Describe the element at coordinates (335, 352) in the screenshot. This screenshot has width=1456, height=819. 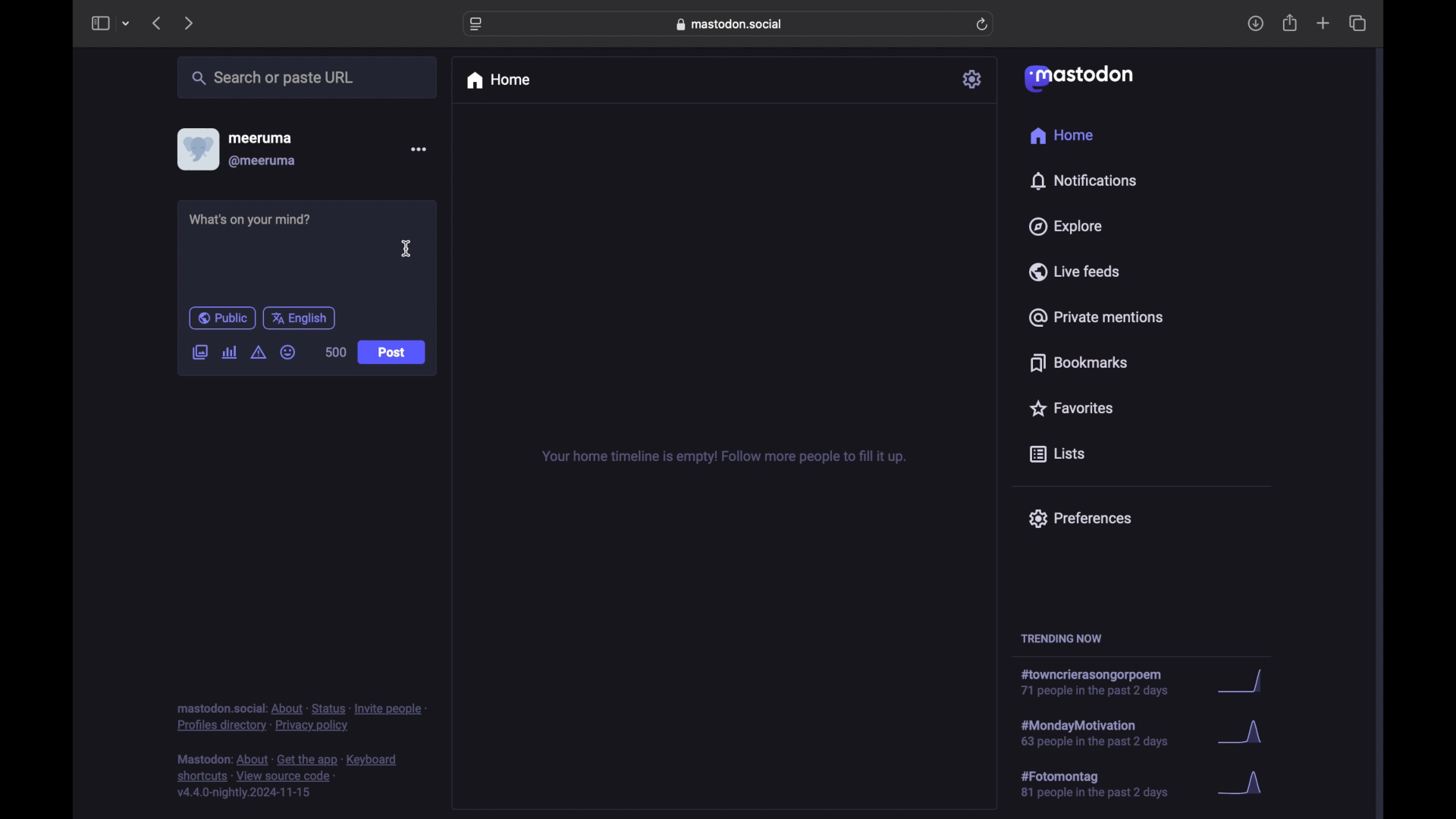
I see `500` at that location.